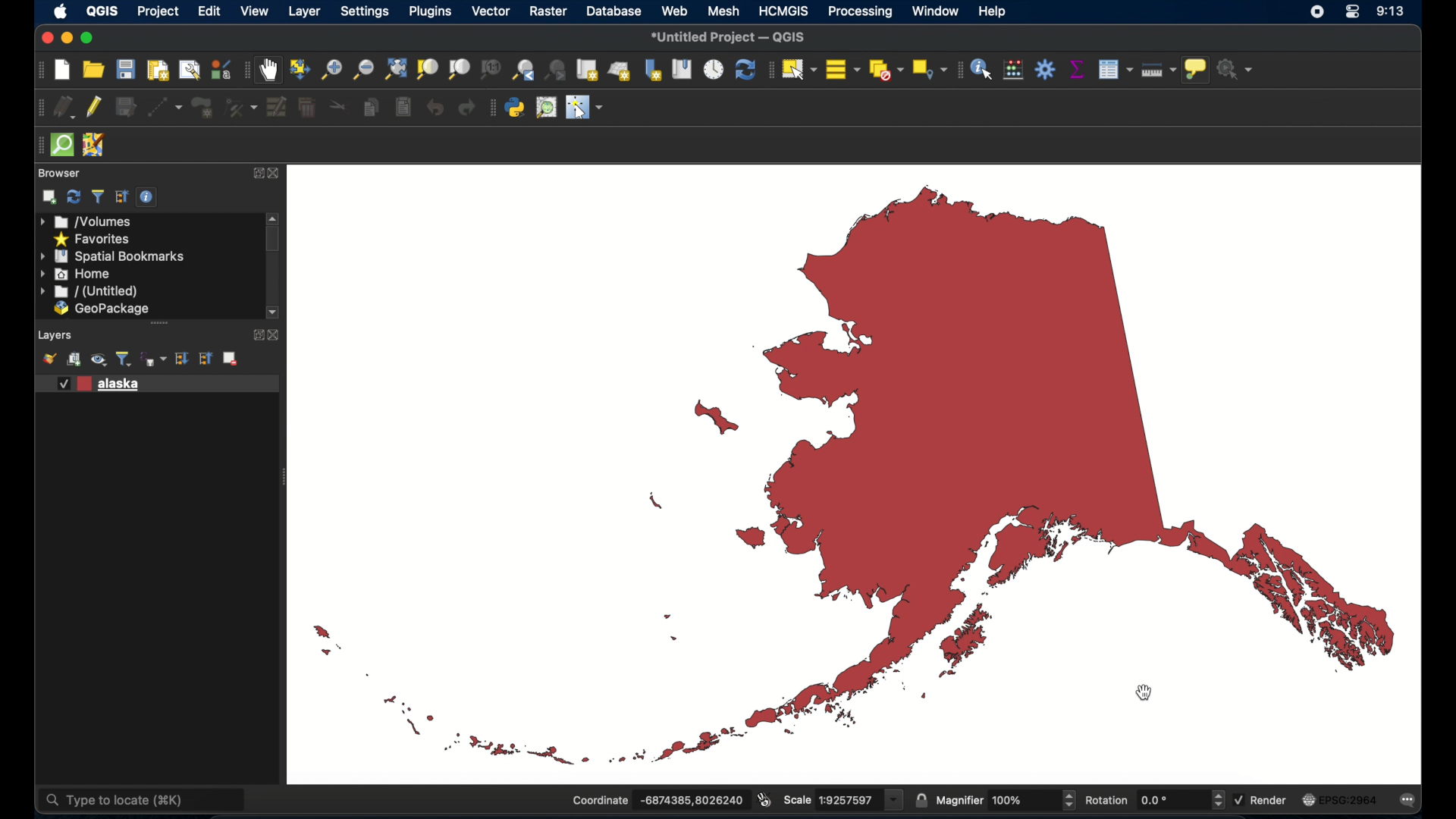 The image size is (1456, 819). Describe the element at coordinates (149, 199) in the screenshot. I see `enable/disable properties widget` at that location.